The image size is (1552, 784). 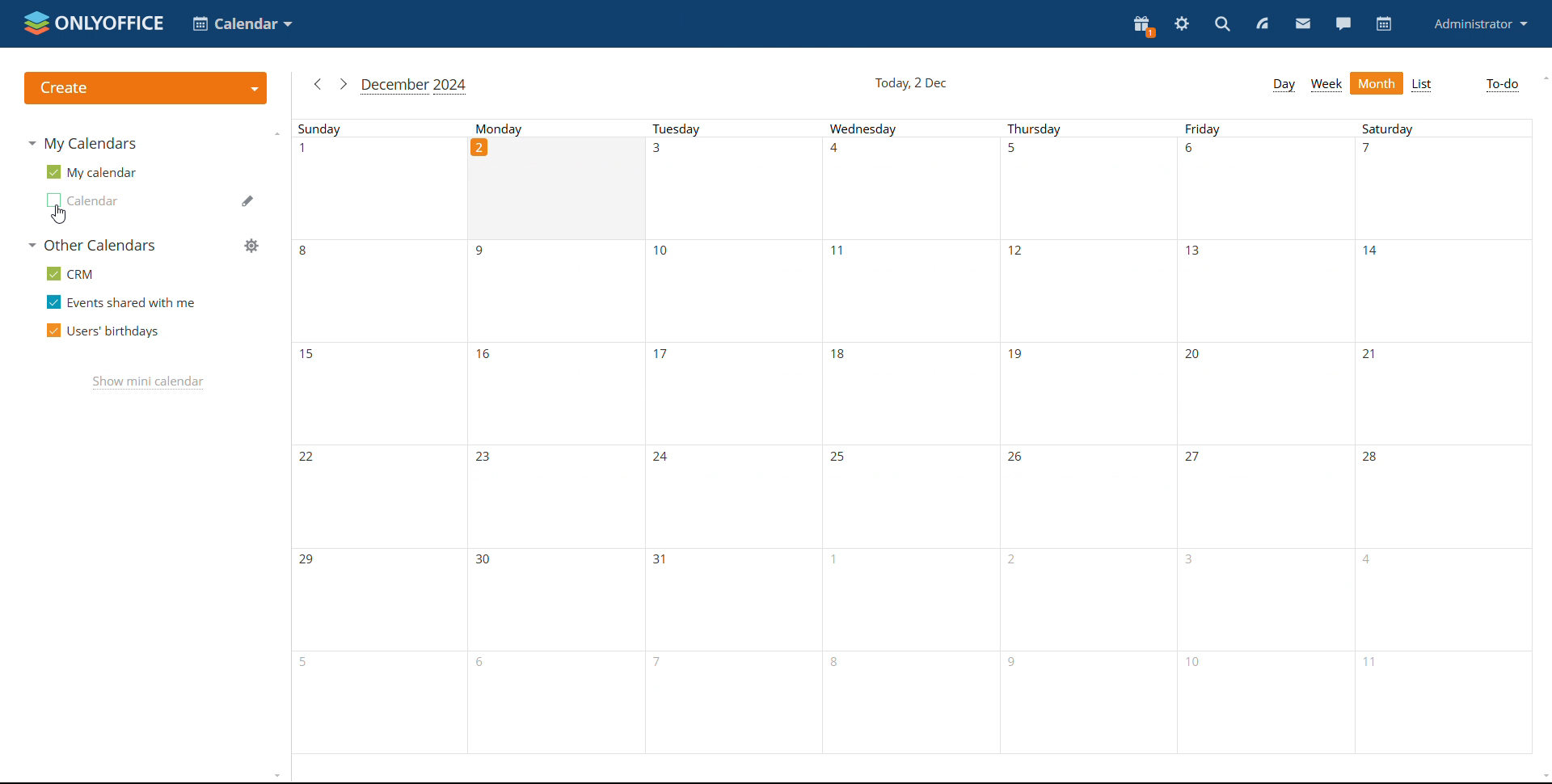 What do you see at coordinates (373, 596) in the screenshot?
I see `29` at bounding box center [373, 596].